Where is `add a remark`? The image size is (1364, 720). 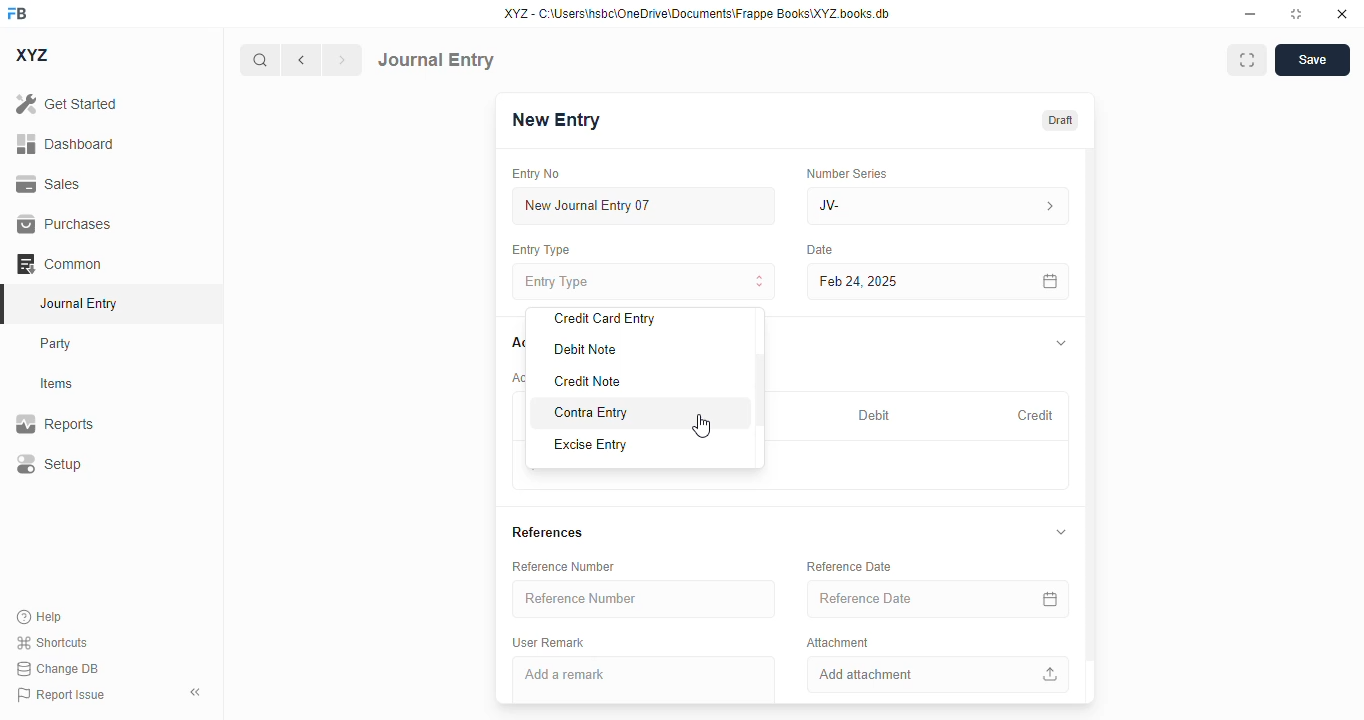
add a remark is located at coordinates (643, 679).